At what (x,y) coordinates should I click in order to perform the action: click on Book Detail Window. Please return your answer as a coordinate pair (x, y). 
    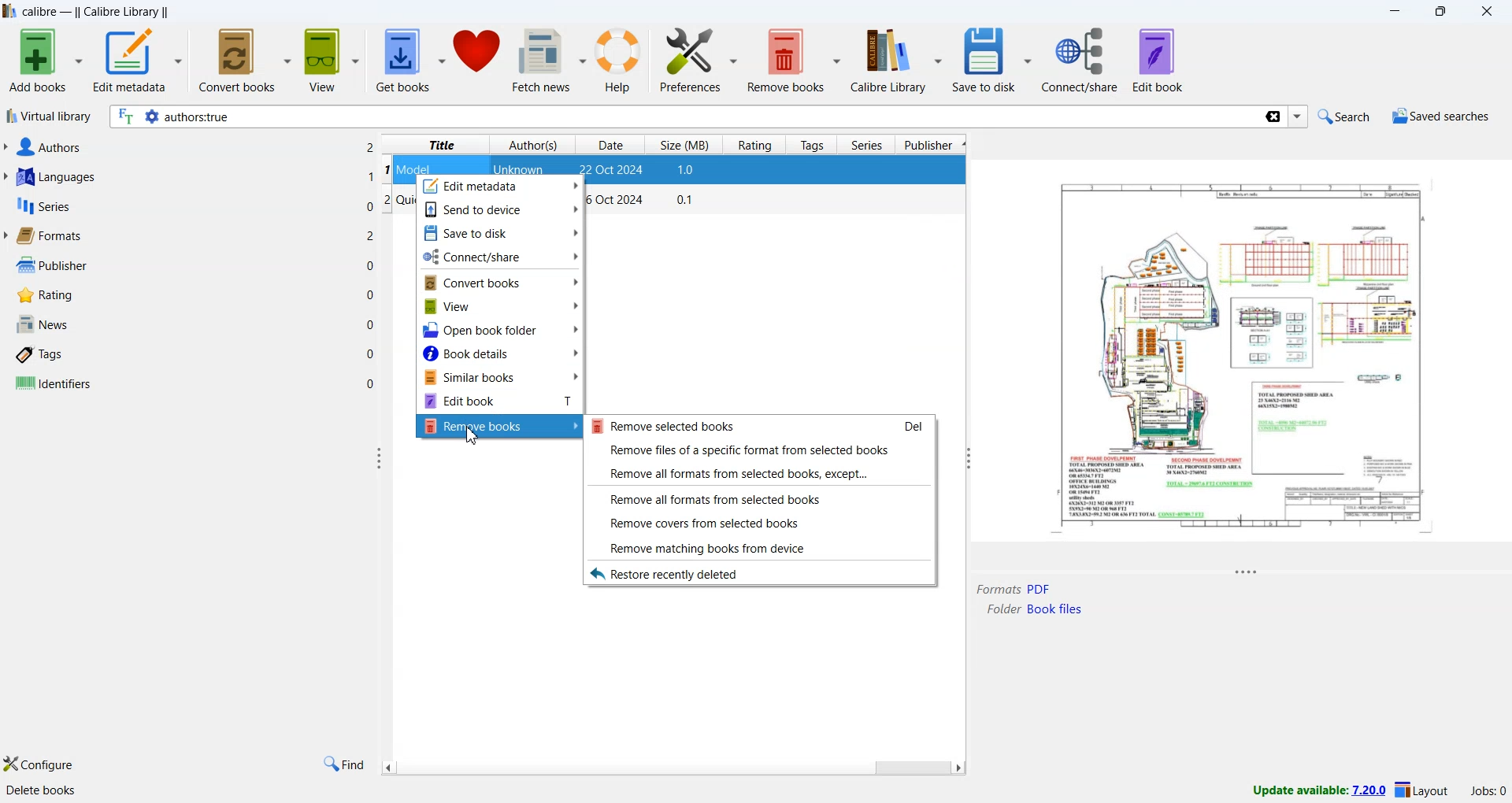
    Looking at the image, I should click on (1242, 368).